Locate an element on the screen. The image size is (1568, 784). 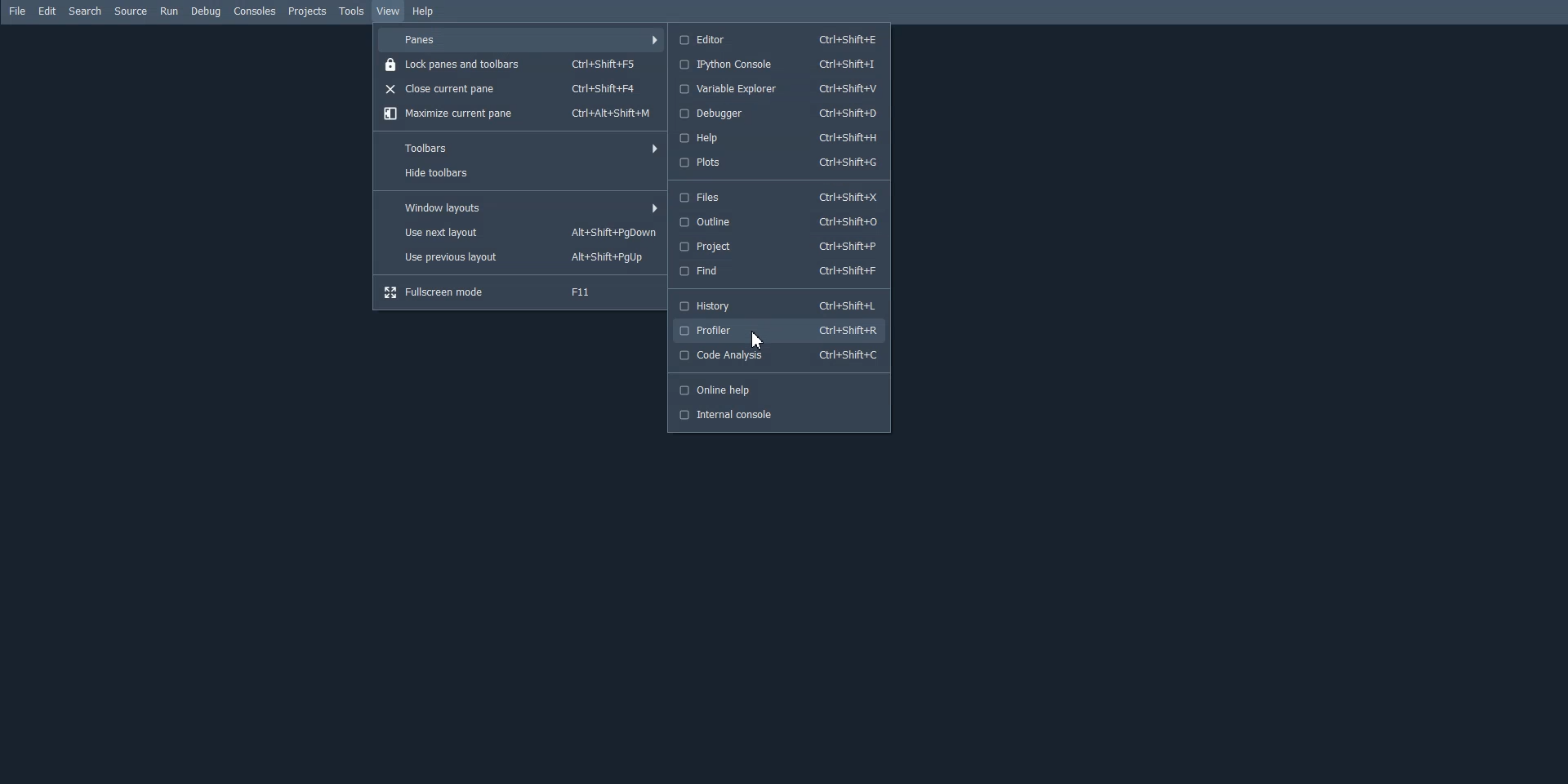
Source is located at coordinates (131, 11).